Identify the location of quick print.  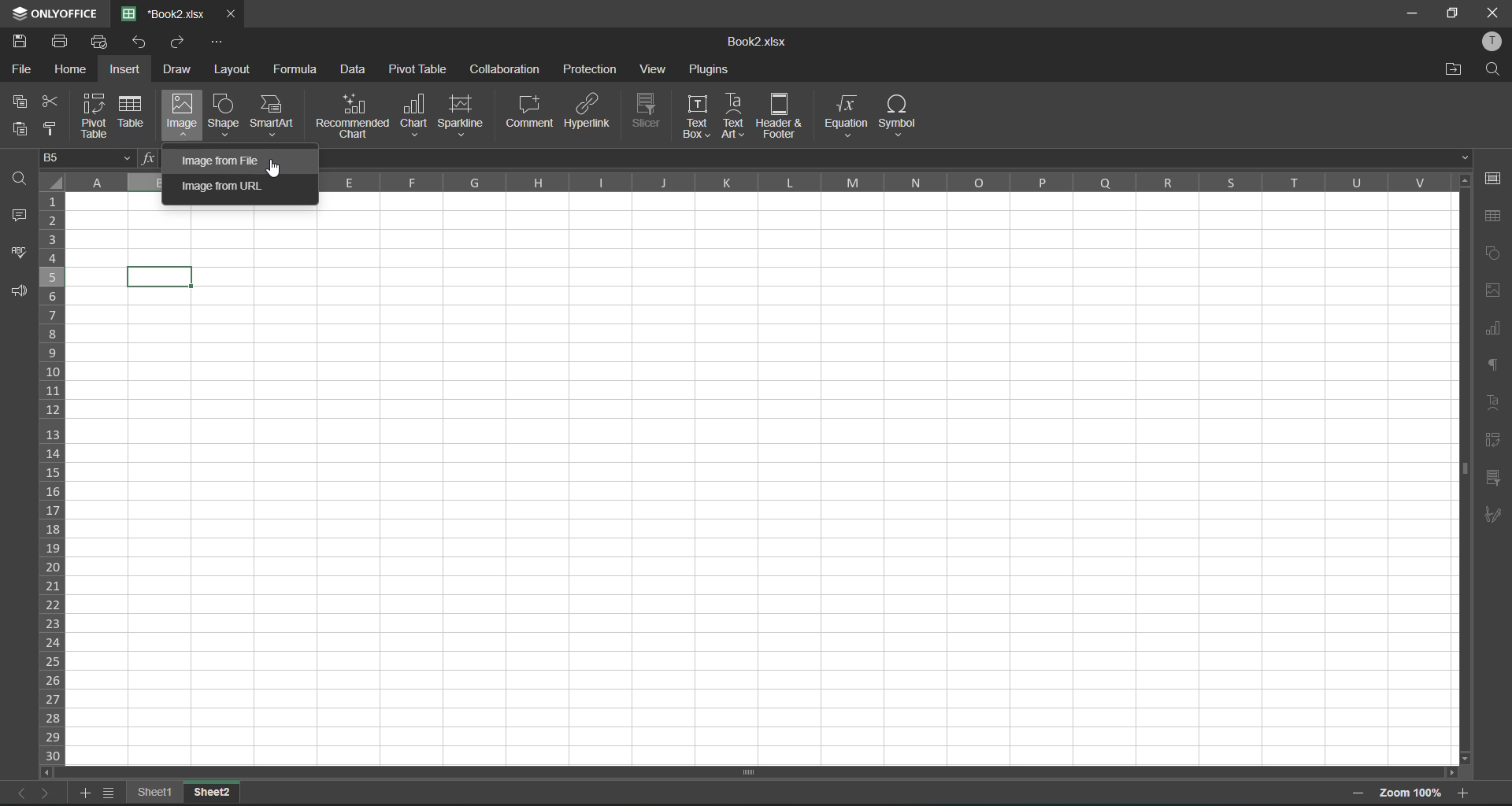
(102, 40).